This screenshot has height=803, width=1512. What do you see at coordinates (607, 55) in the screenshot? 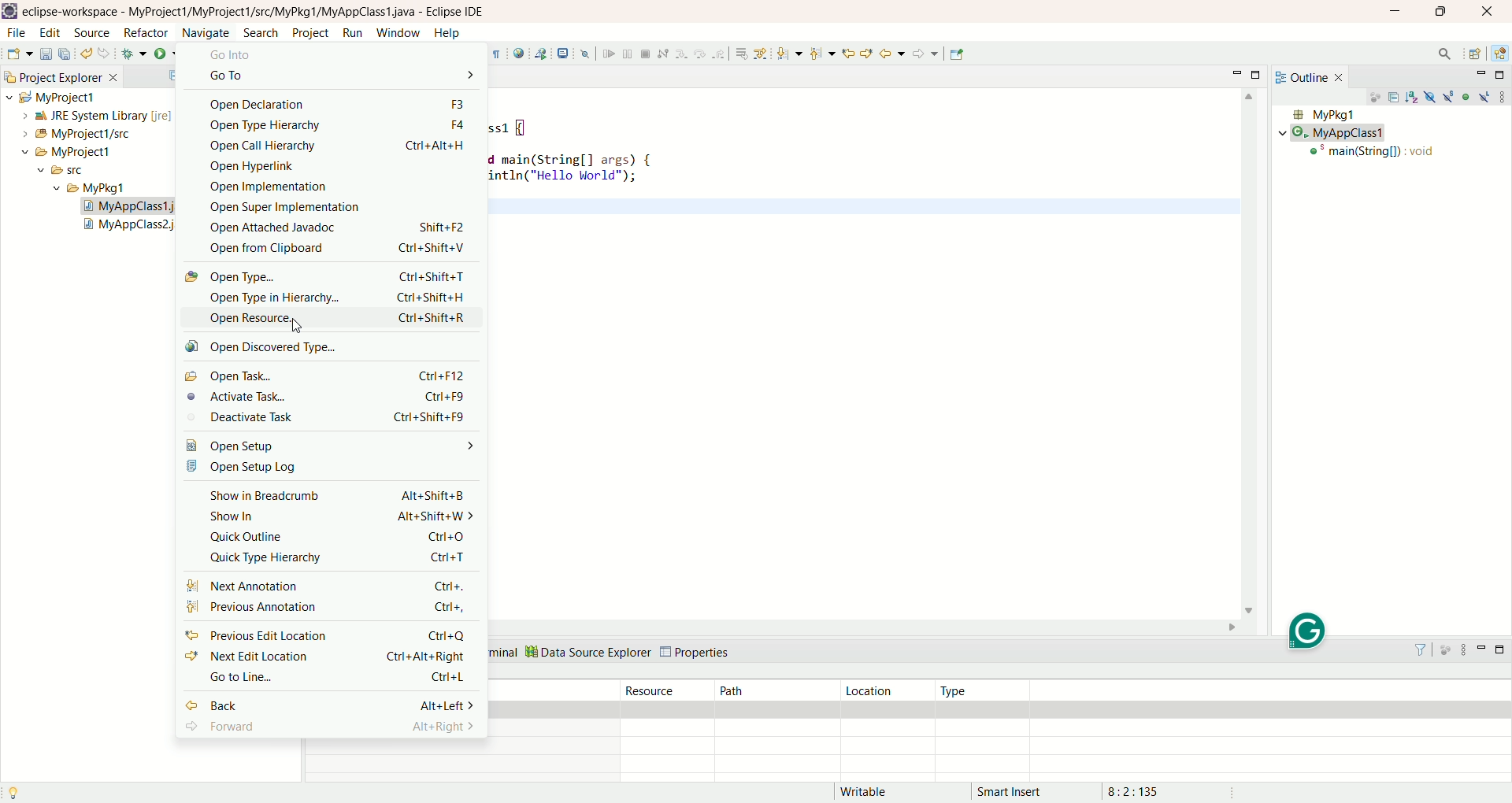
I see `resume` at bounding box center [607, 55].